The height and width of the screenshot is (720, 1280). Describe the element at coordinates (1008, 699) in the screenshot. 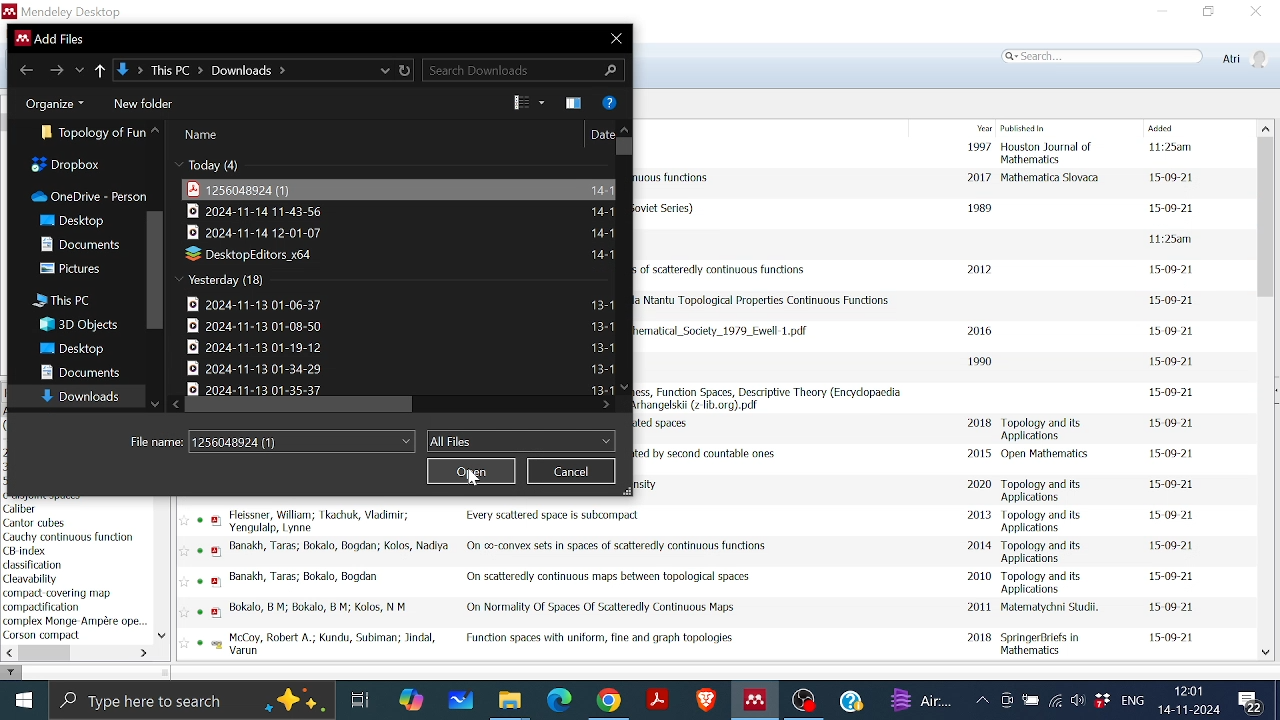

I see `Meet now` at that location.